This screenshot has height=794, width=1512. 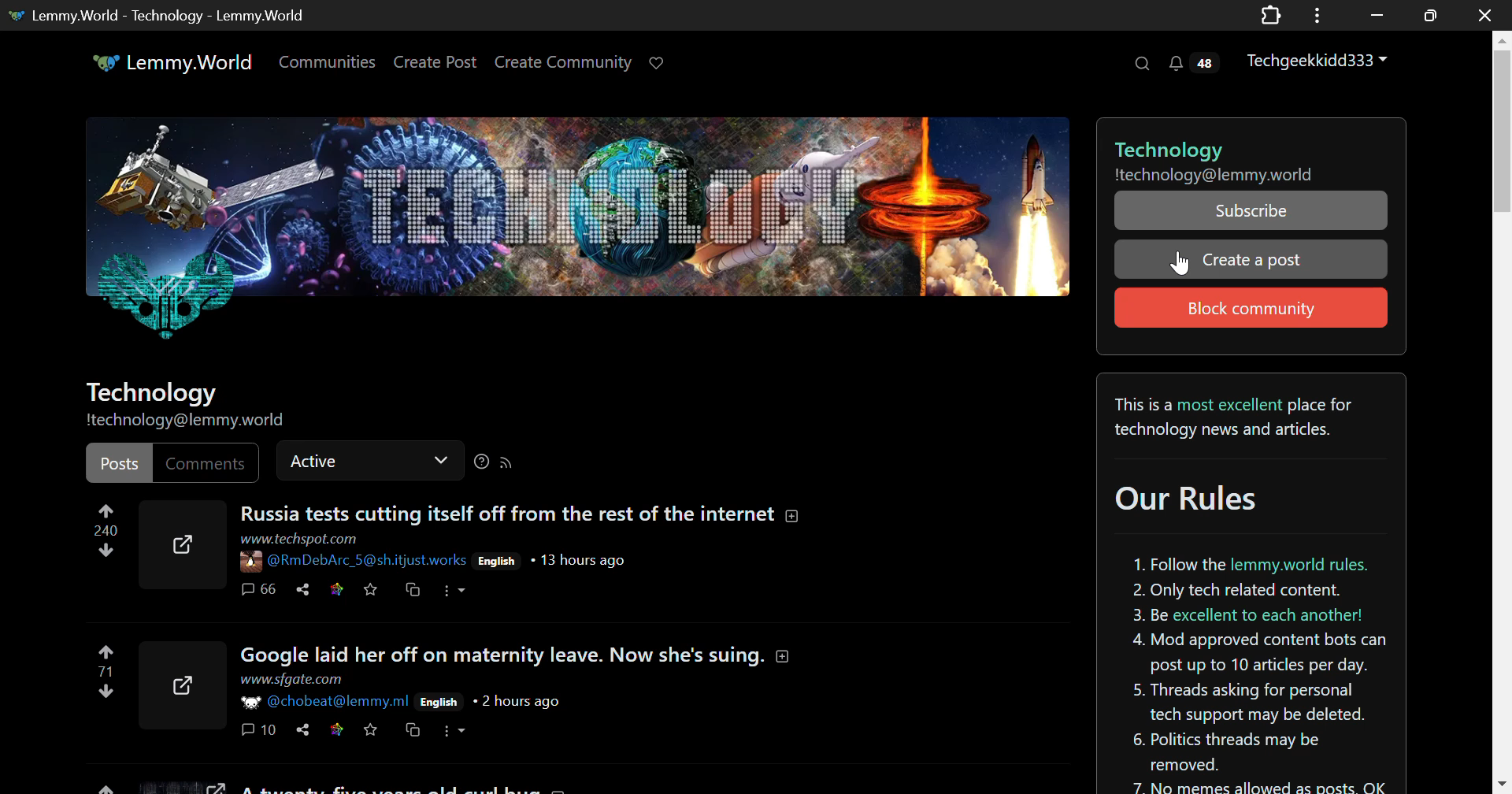 I want to click on Create Post, so click(x=438, y=62).